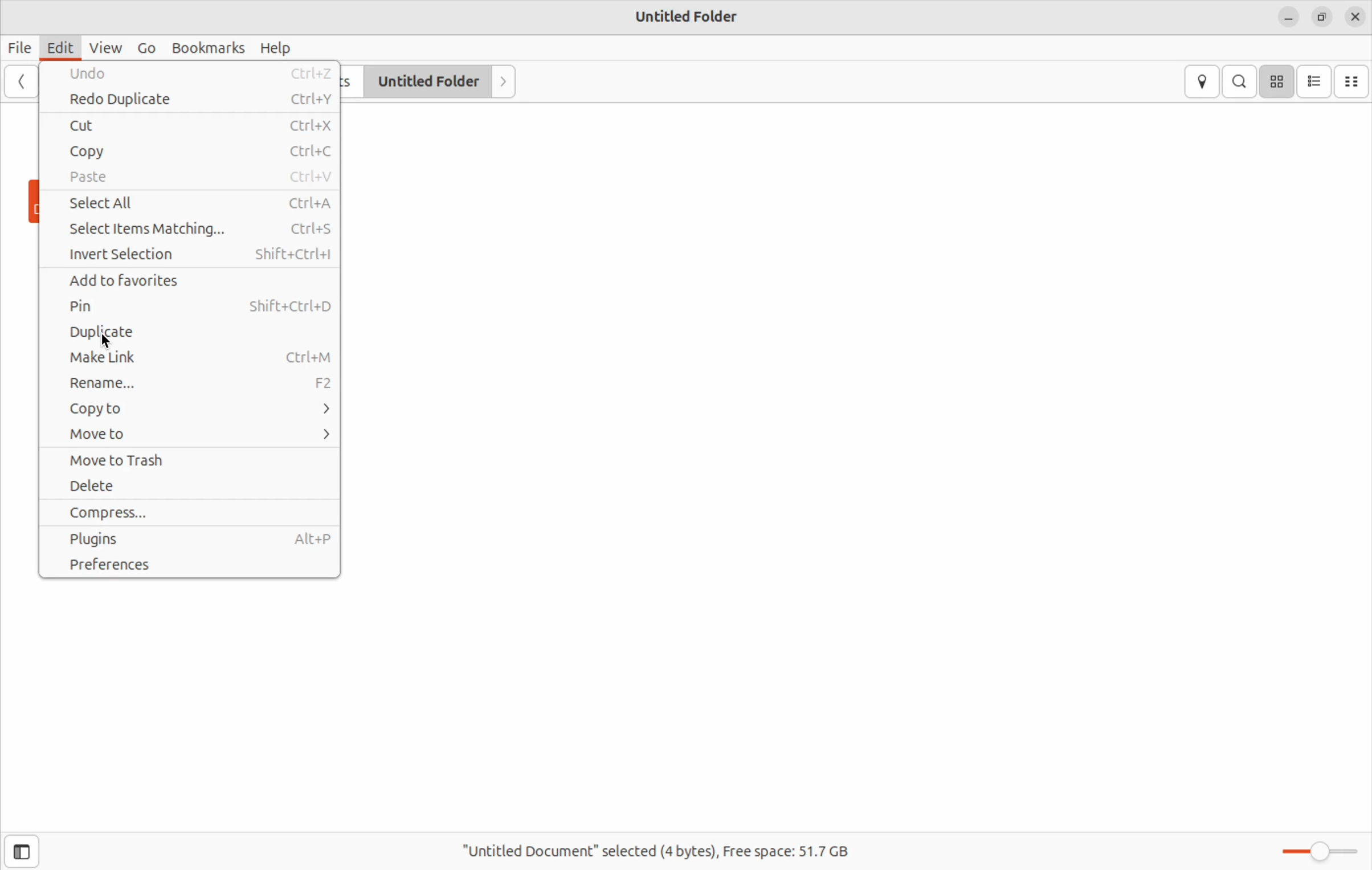 Image resolution: width=1372 pixels, height=870 pixels. What do you see at coordinates (191, 98) in the screenshot?
I see `Redo Duplicate` at bounding box center [191, 98].